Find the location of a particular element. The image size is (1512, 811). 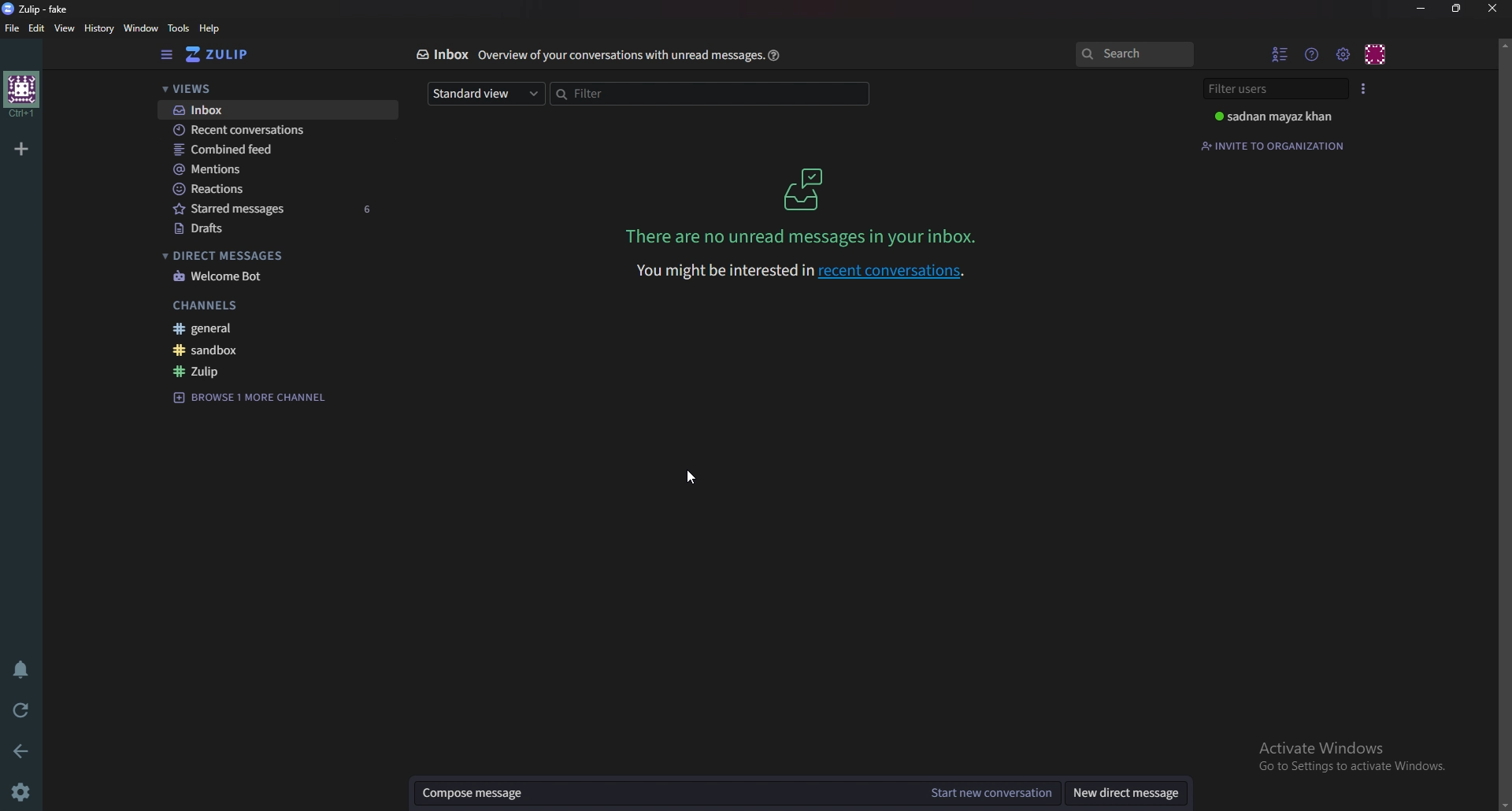

Standard view is located at coordinates (487, 94).